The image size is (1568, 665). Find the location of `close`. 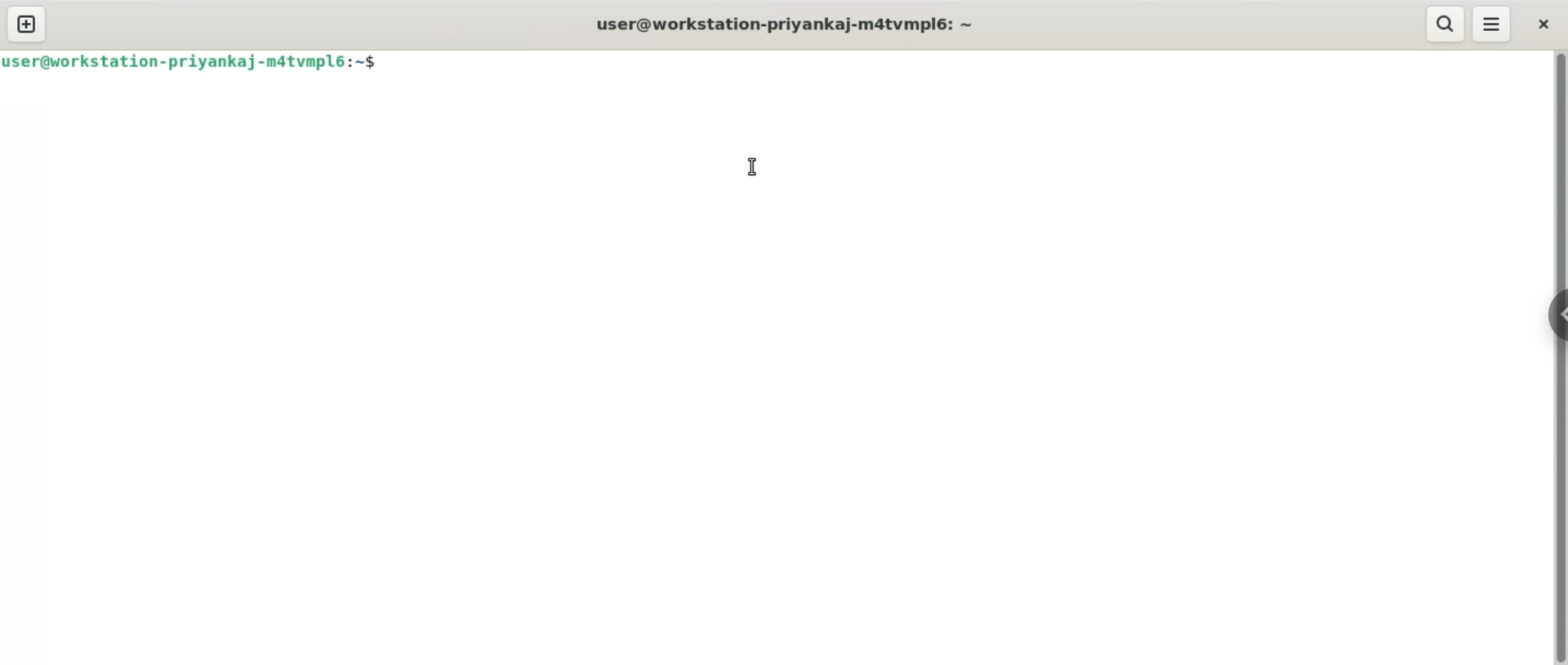

close is located at coordinates (1541, 21).